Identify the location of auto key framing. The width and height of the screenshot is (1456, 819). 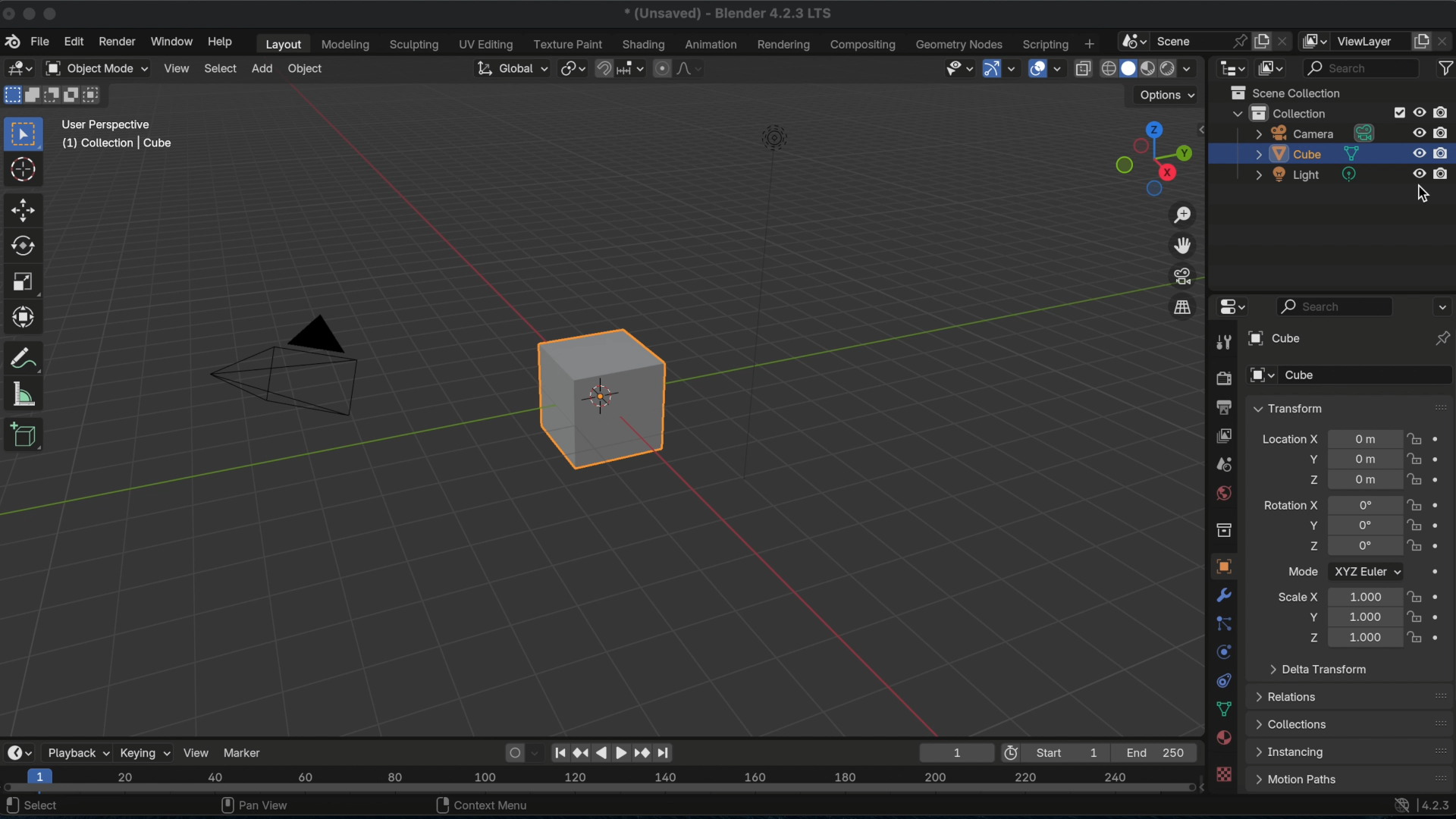
(534, 754).